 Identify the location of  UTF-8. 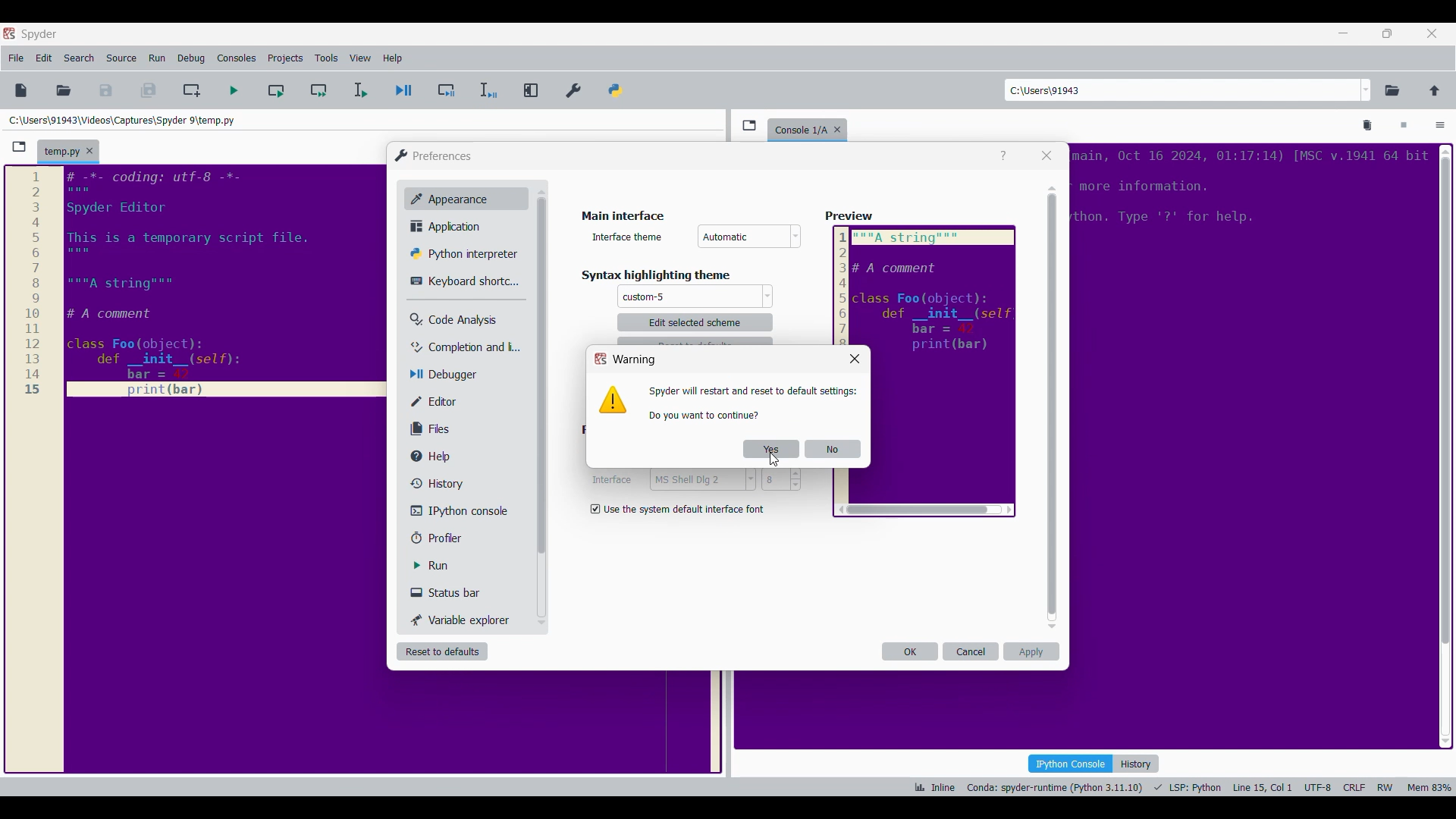
(1317, 788).